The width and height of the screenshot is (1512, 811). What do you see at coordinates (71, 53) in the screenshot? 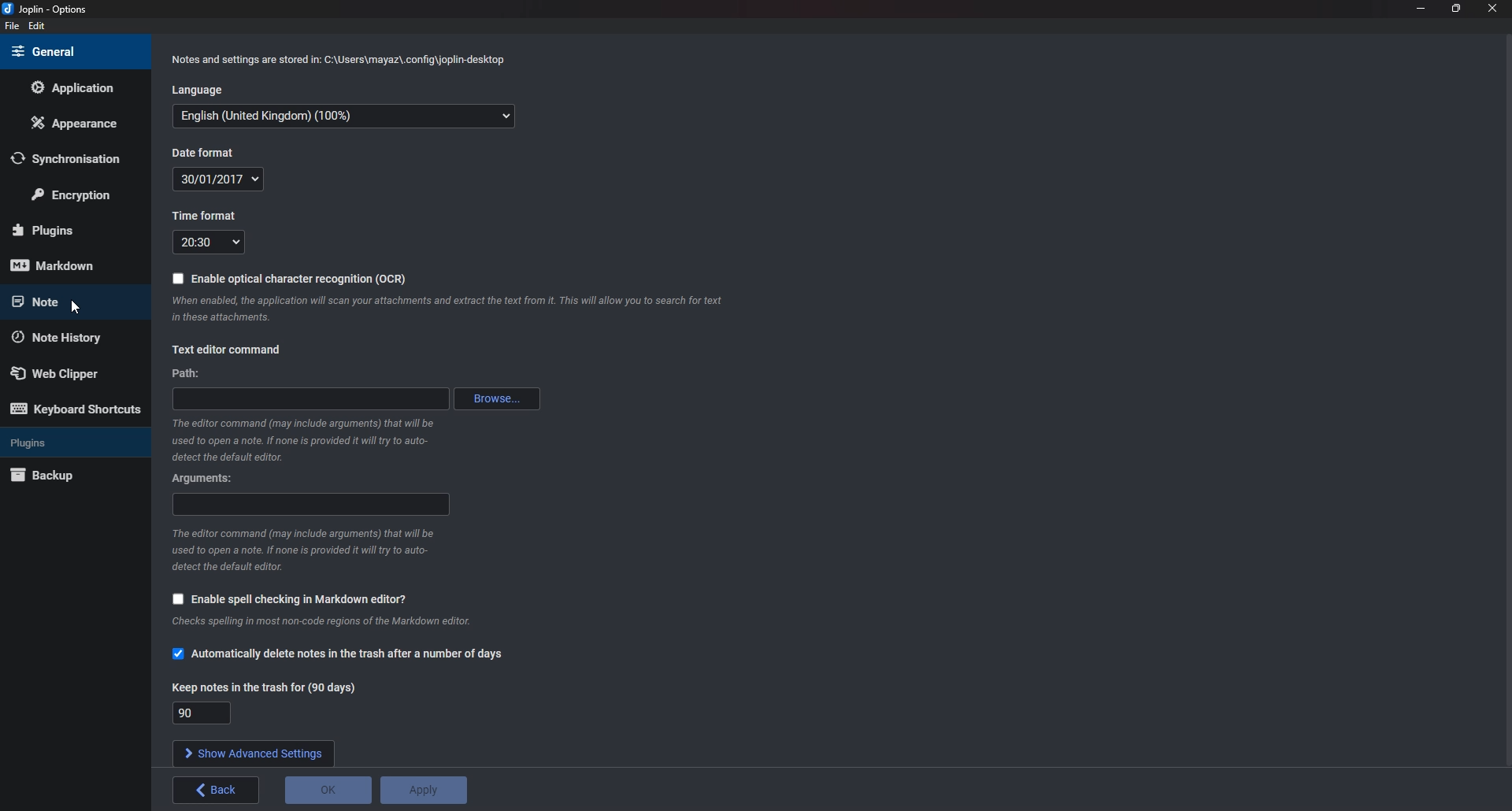
I see `General` at bounding box center [71, 53].